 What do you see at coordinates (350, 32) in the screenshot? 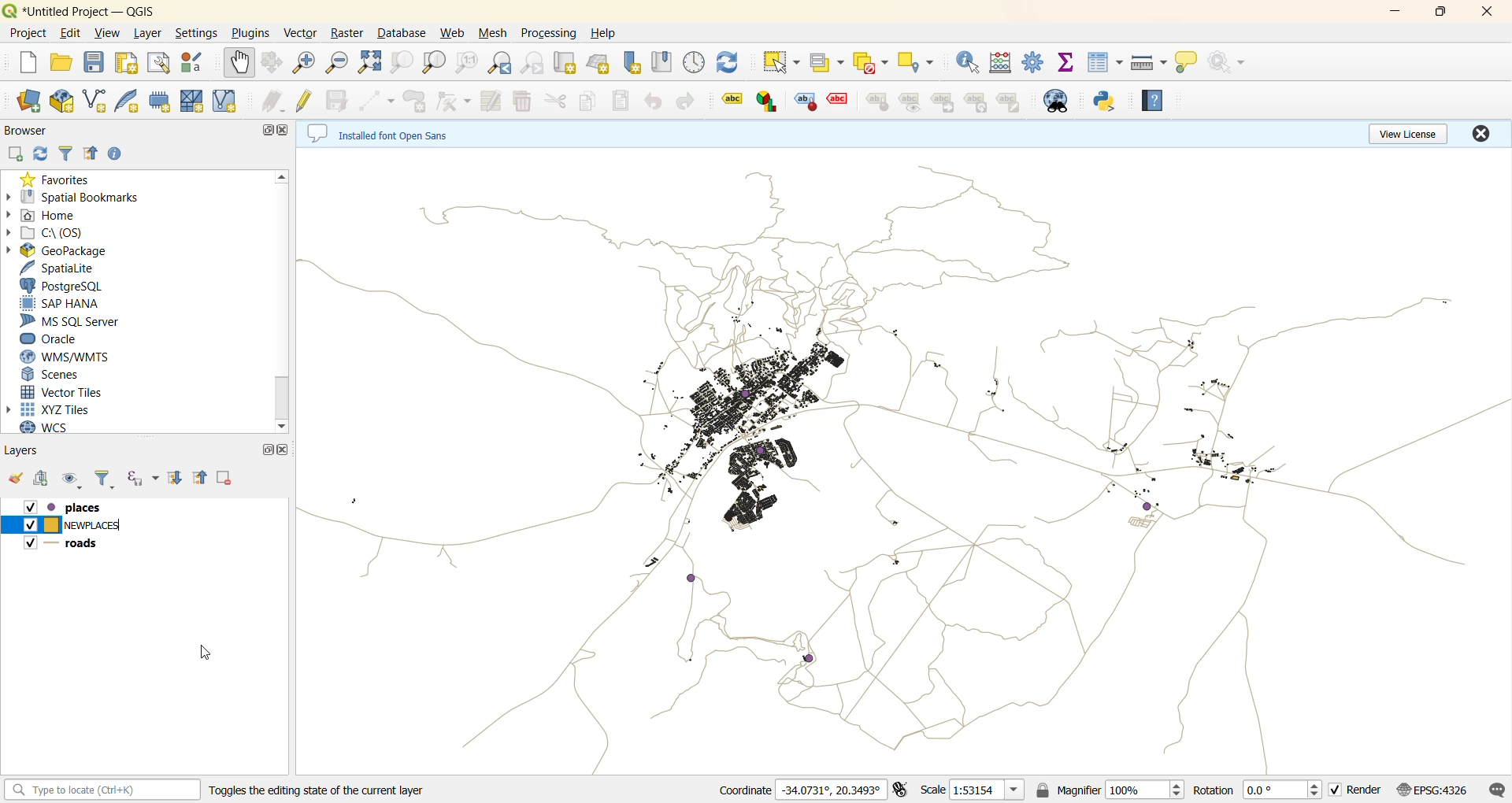
I see `raster` at bounding box center [350, 32].